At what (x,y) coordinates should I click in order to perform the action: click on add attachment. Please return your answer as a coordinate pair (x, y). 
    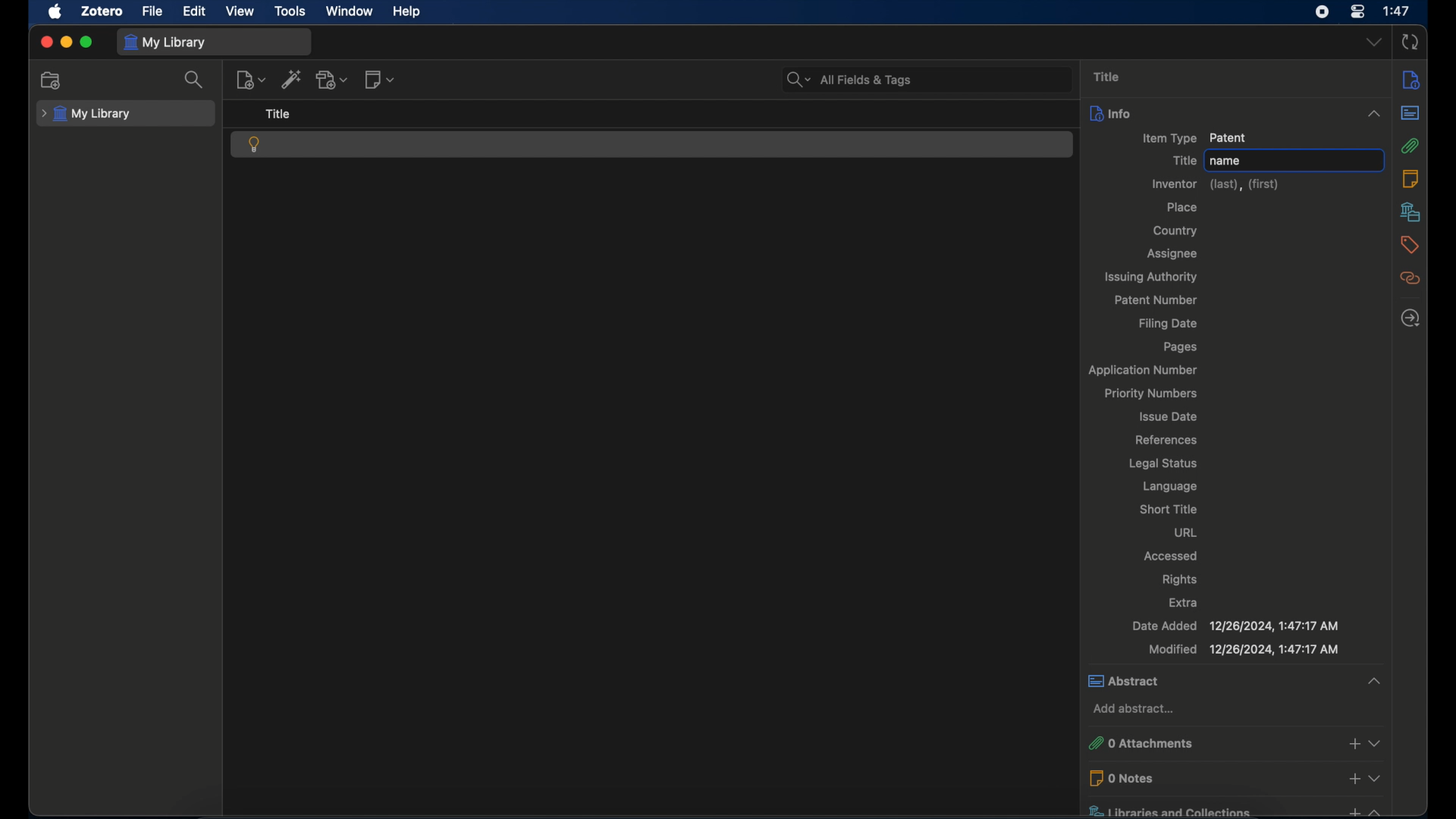
    Looking at the image, I should click on (334, 80).